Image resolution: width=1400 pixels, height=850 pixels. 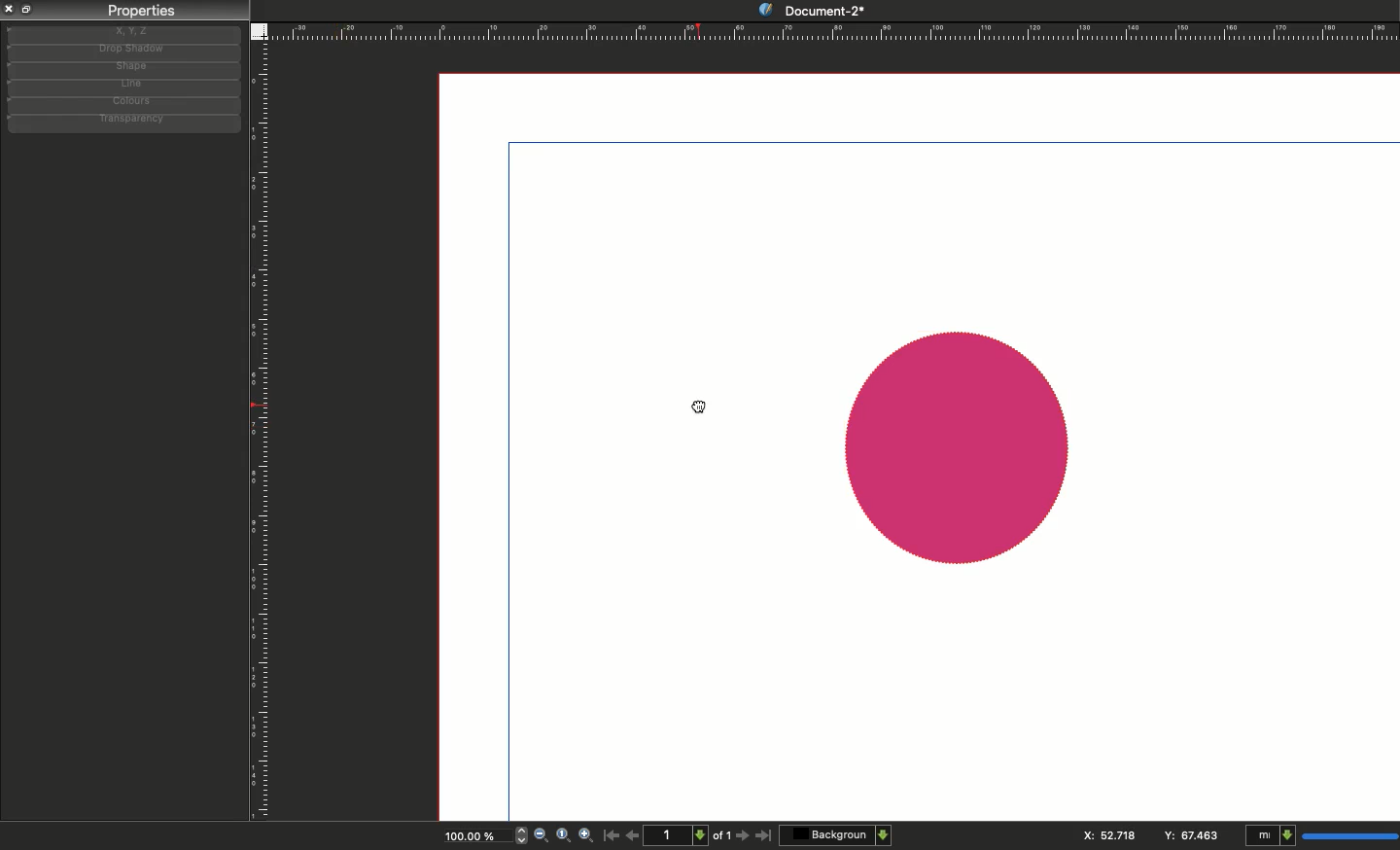 What do you see at coordinates (121, 51) in the screenshot?
I see `Drop shadow` at bounding box center [121, 51].